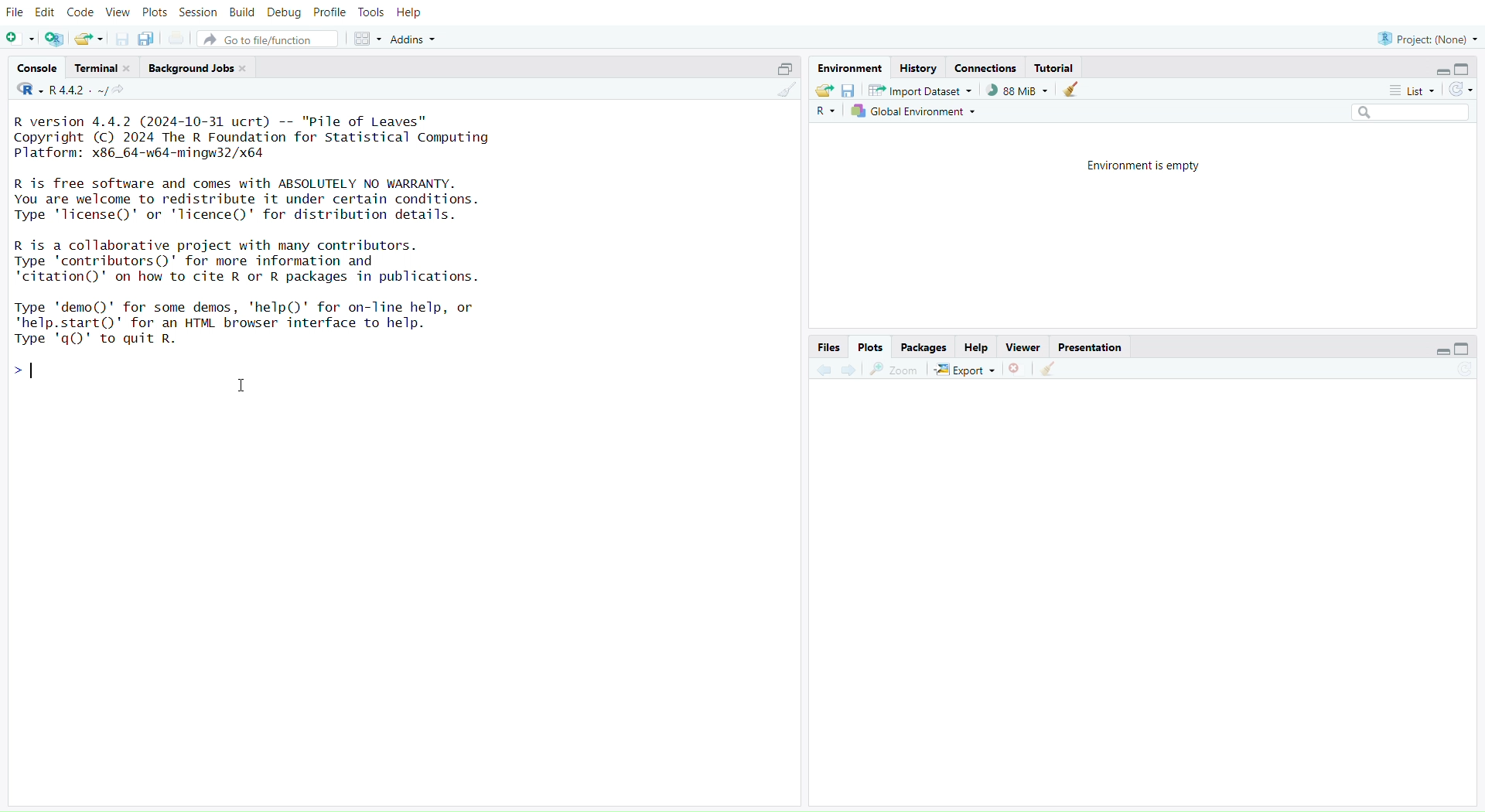 This screenshot has width=1485, height=812. What do you see at coordinates (415, 39) in the screenshot?
I see `addins` at bounding box center [415, 39].